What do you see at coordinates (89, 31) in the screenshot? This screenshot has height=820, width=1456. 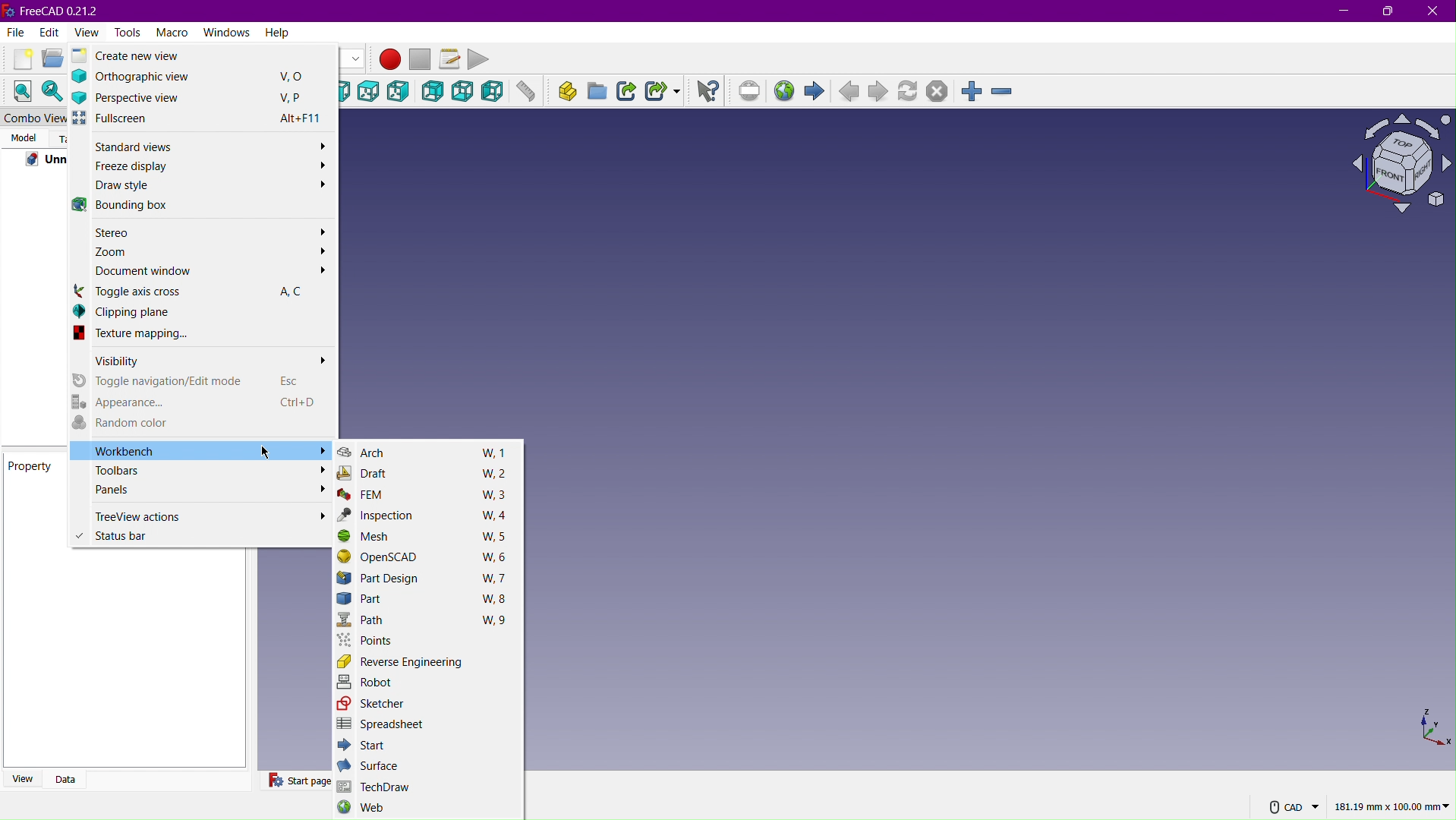 I see `View` at bounding box center [89, 31].